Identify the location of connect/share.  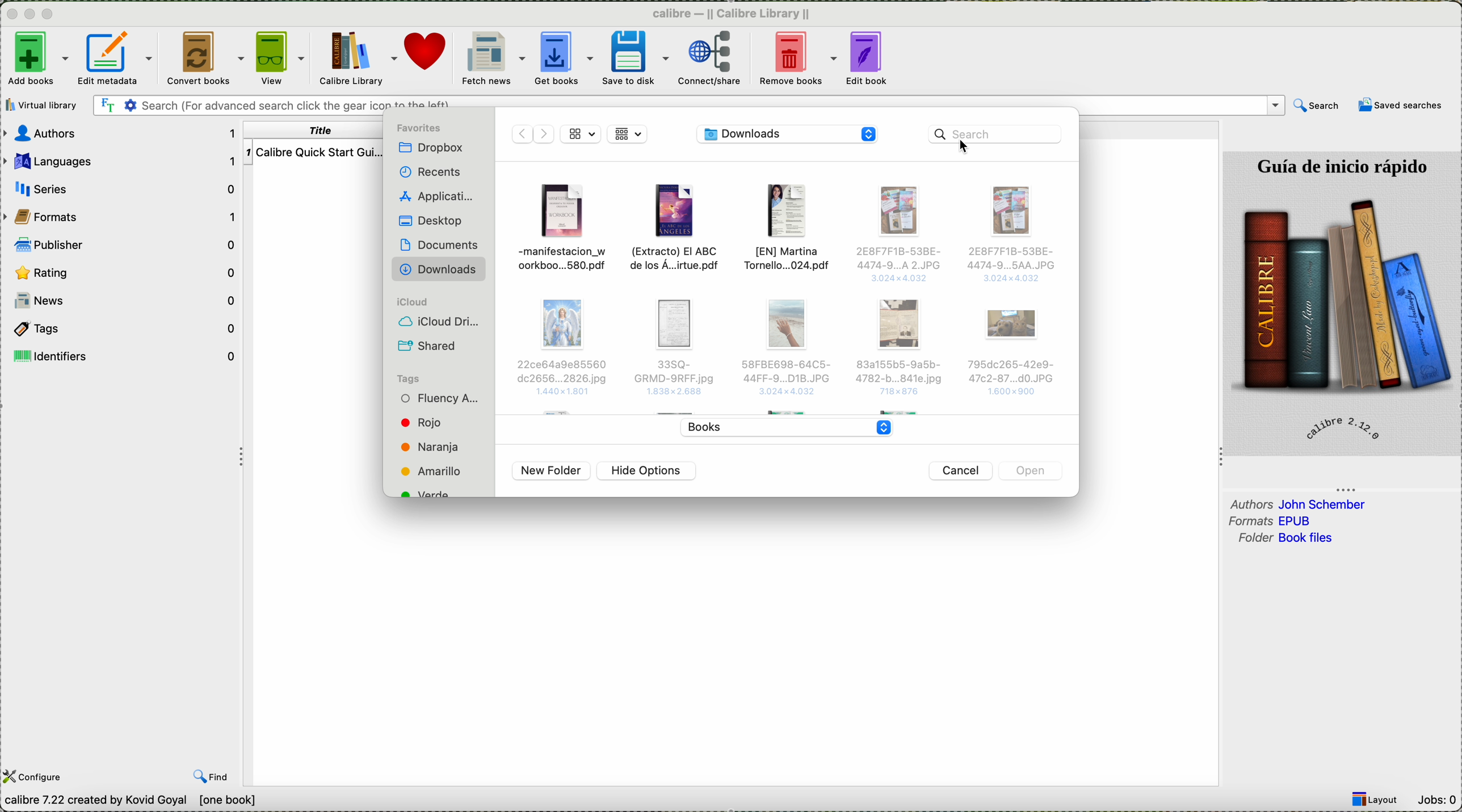
(711, 58).